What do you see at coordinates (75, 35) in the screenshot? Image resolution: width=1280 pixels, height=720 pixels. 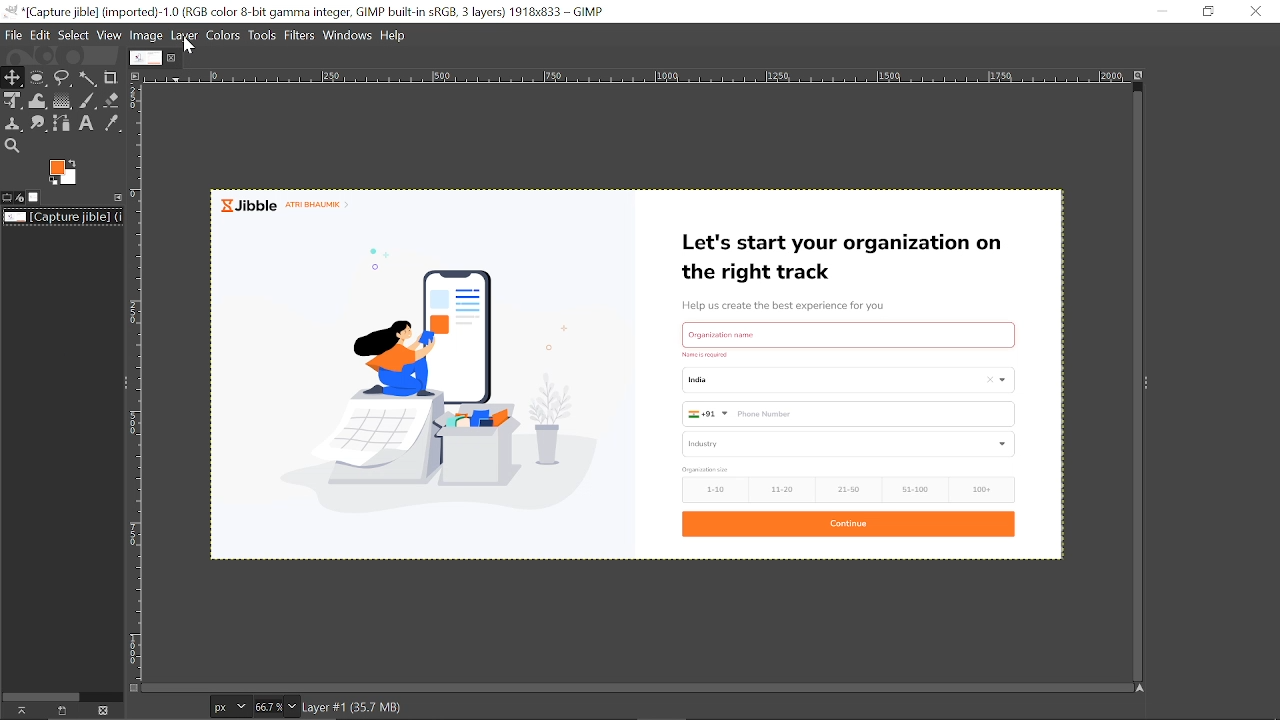 I see `Select` at bounding box center [75, 35].